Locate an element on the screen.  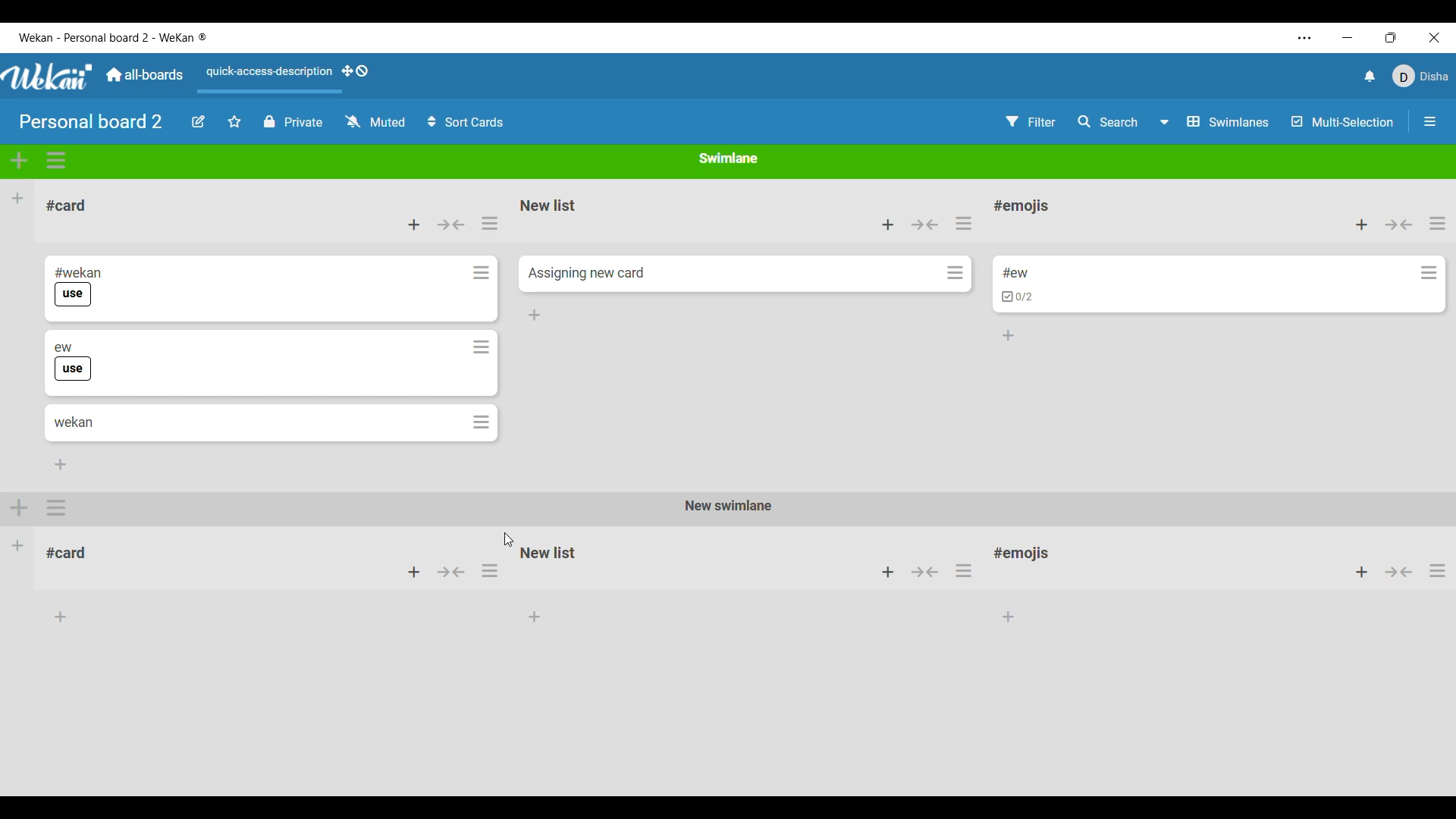
Multi selection is located at coordinates (1343, 122).